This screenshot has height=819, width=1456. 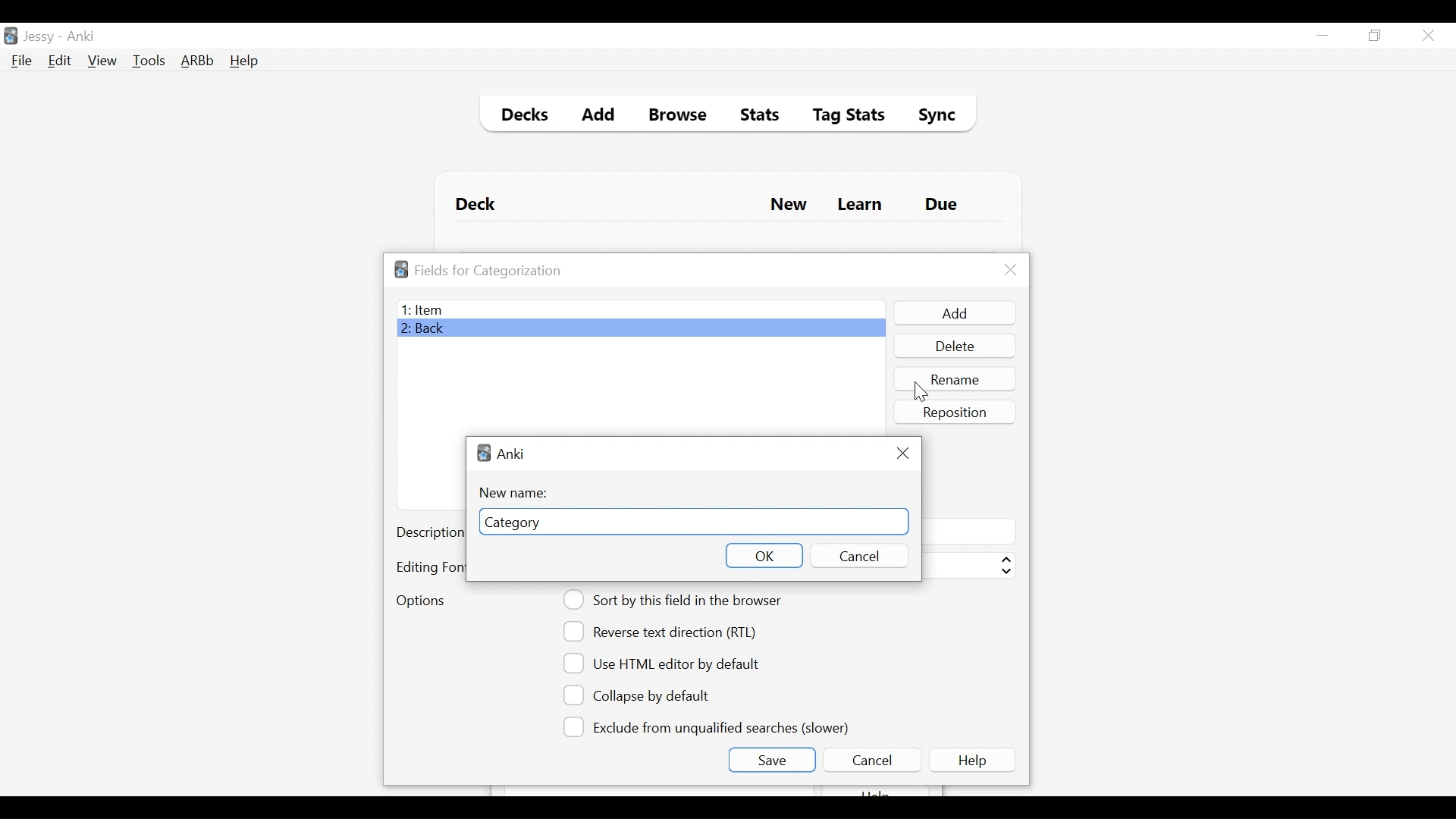 I want to click on Text to Show inside the field when empty, so click(x=968, y=531).